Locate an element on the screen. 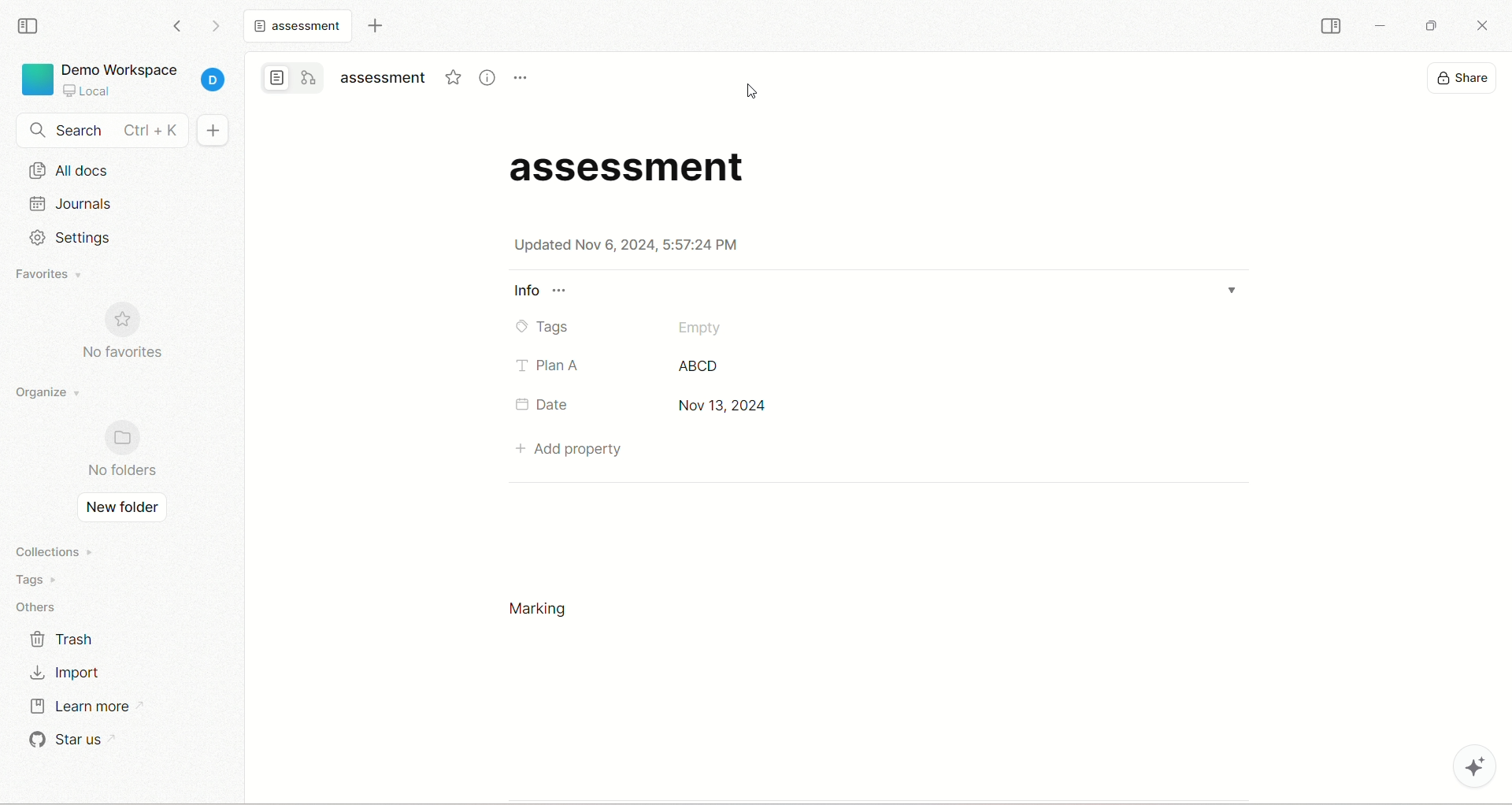  new folder is located at coordinates (122, 509).